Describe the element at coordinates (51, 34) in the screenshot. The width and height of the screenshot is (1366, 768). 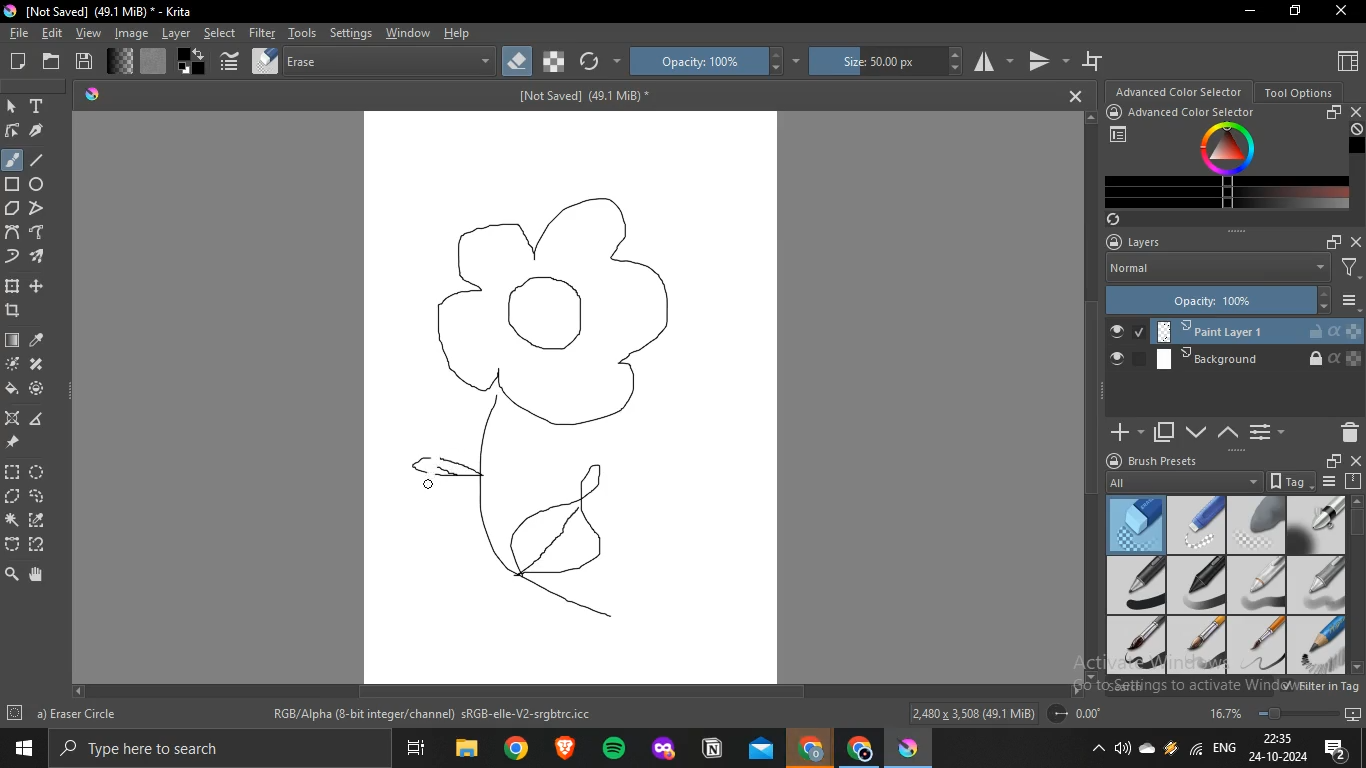
I see `edit` at that location.